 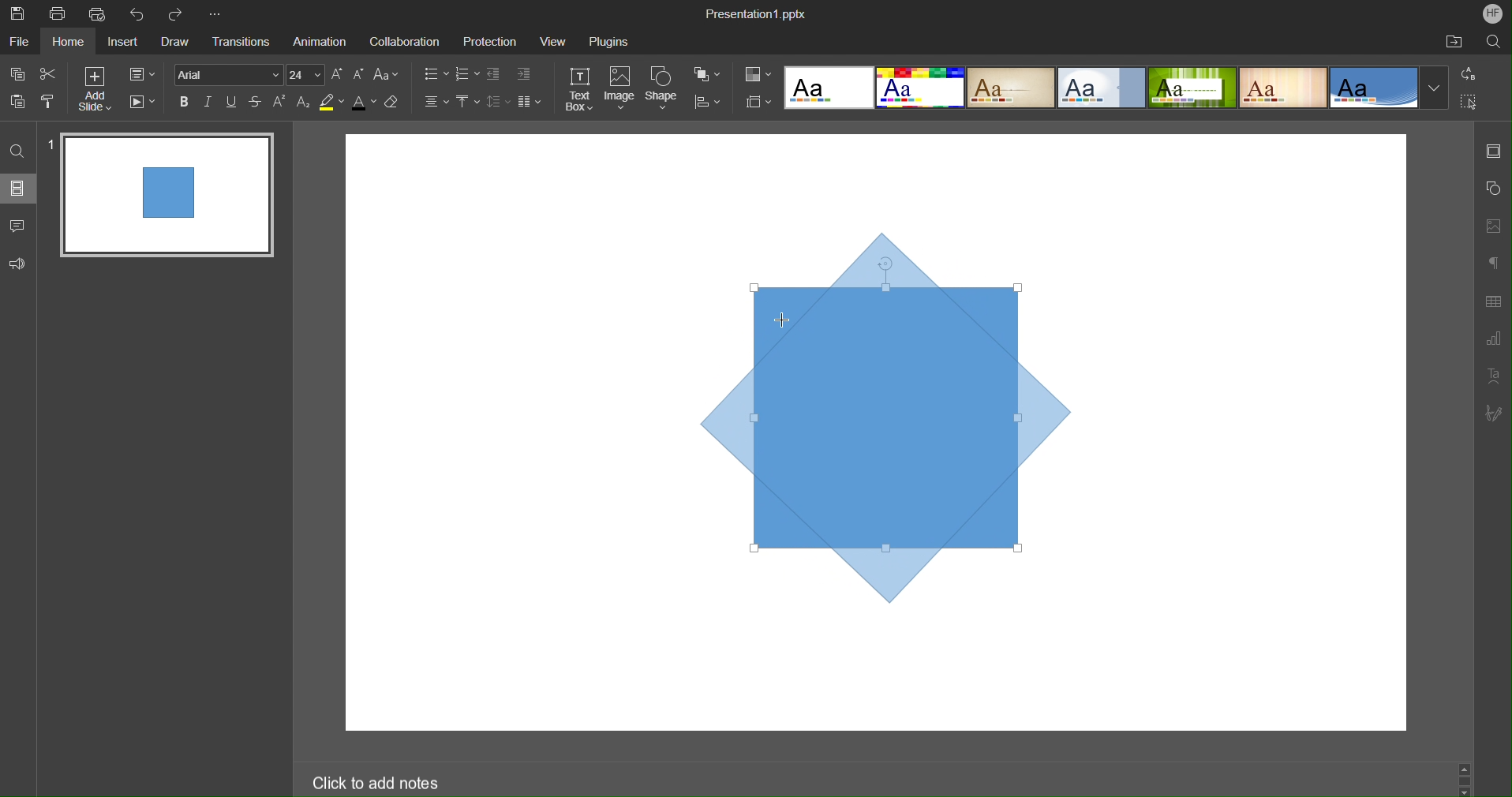 What do you see at coordinates (1494, 301) in the screenshot?
I see `Table` at bounding box center [1494, 301].